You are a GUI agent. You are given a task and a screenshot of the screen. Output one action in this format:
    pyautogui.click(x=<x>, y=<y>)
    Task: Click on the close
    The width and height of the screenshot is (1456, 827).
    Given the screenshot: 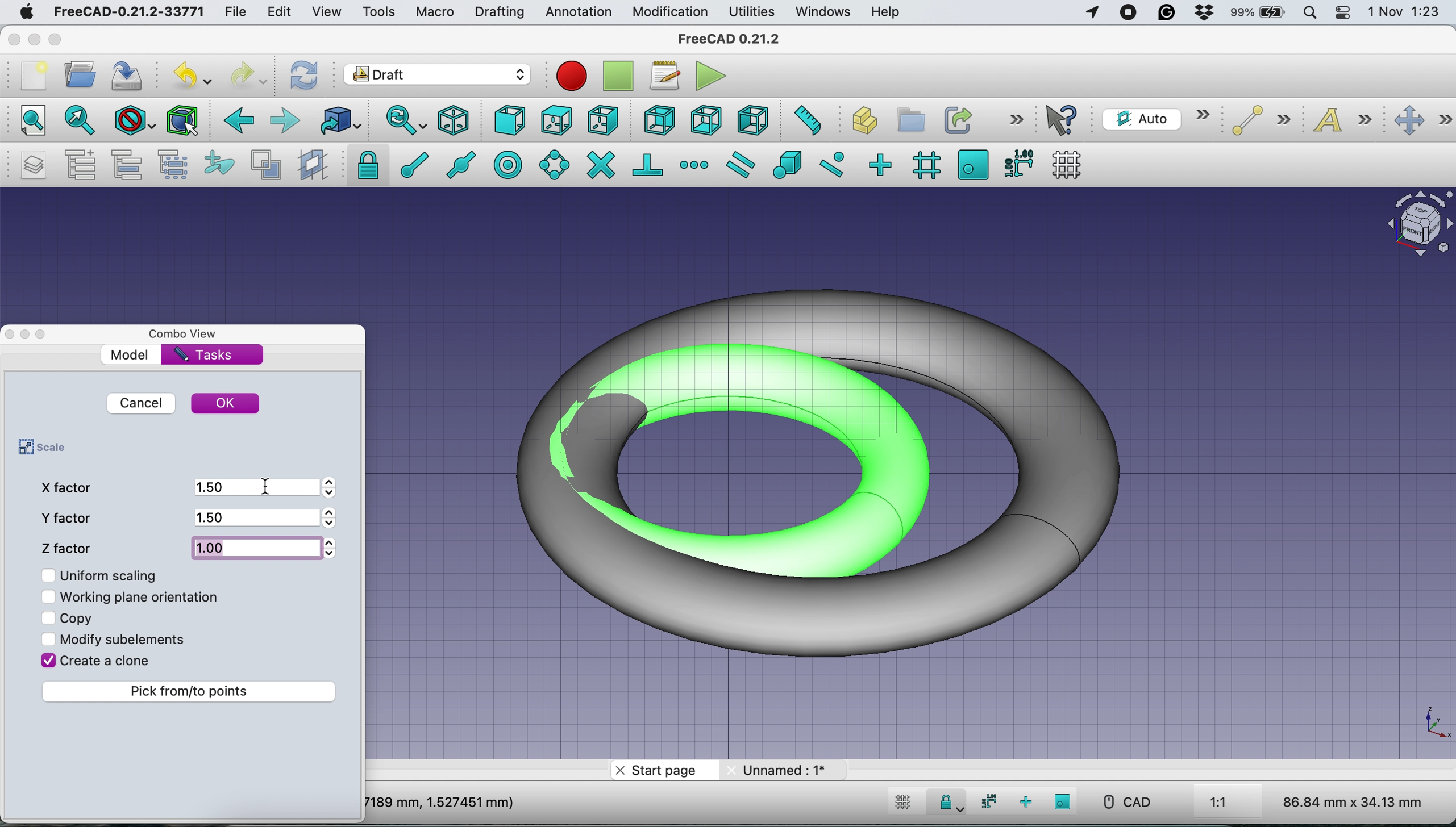 What is the action you would take?
    pyautogui.click(x=12, y=39)
    